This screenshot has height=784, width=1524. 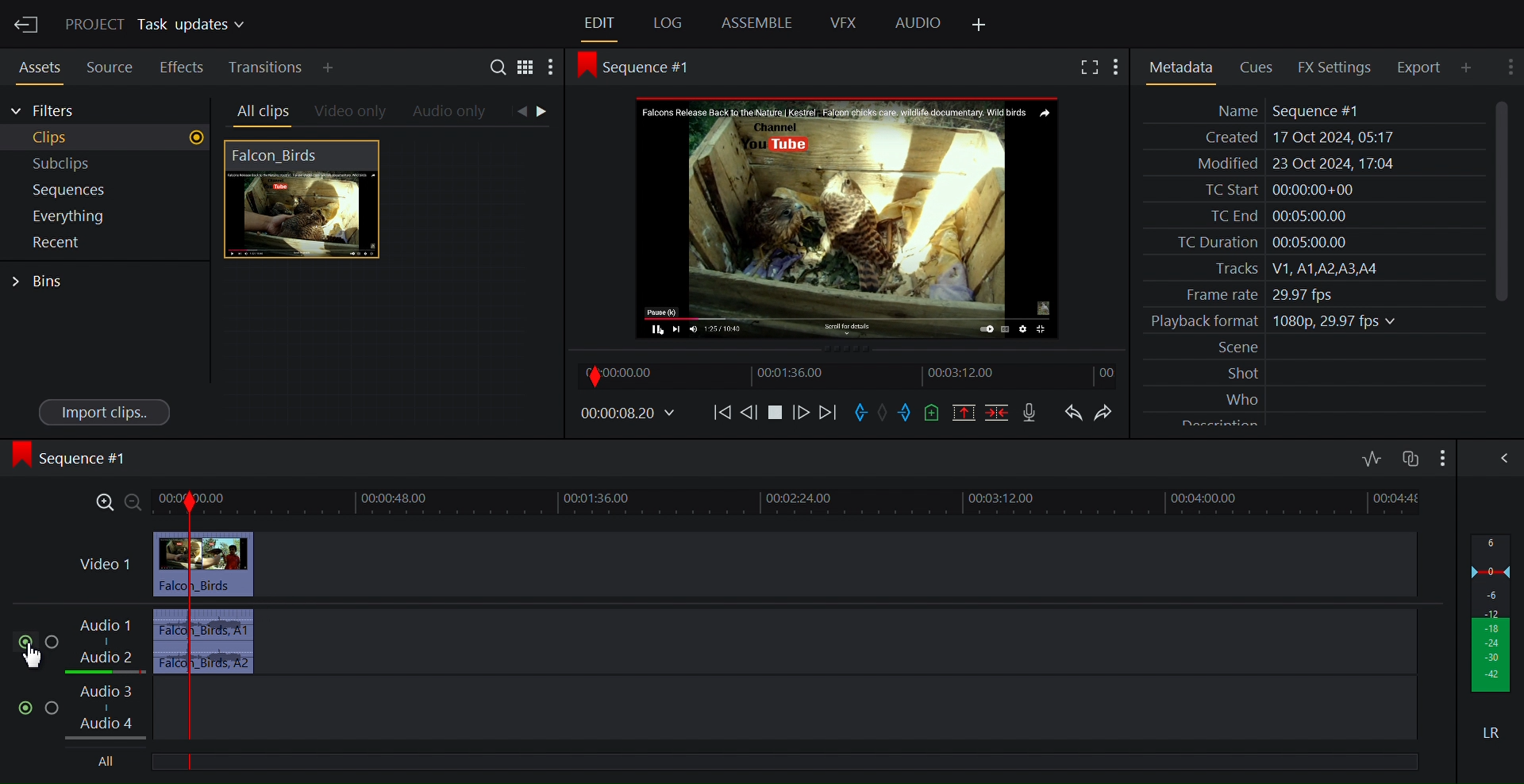 What do you see at coordinates (833, 503) in the screenshot?
I see `timeline` at bounding box center [833, 503].